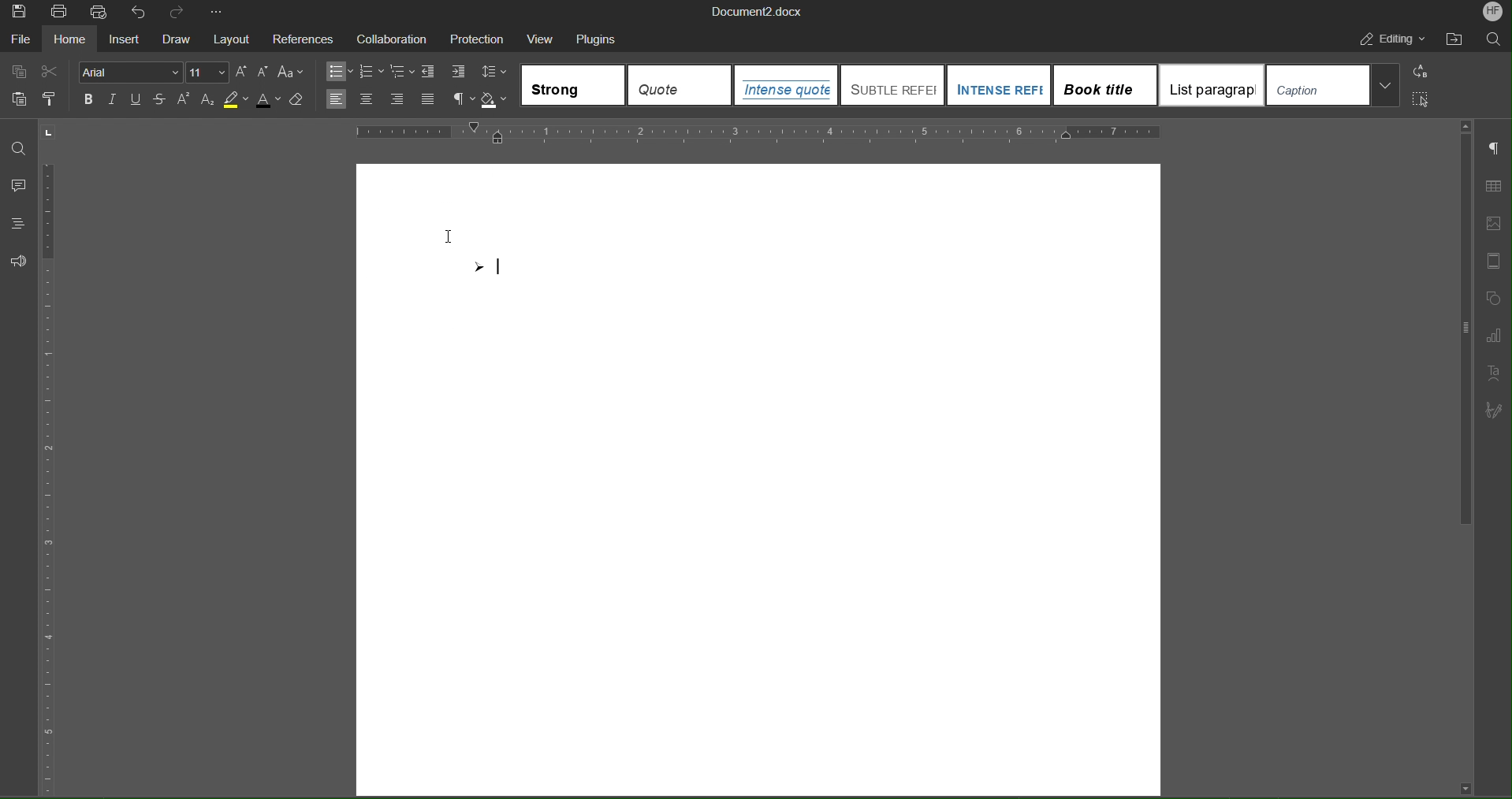 The height and width of the screenshot is (799, 1512). I want to click on Font Size, so click(207, 72).